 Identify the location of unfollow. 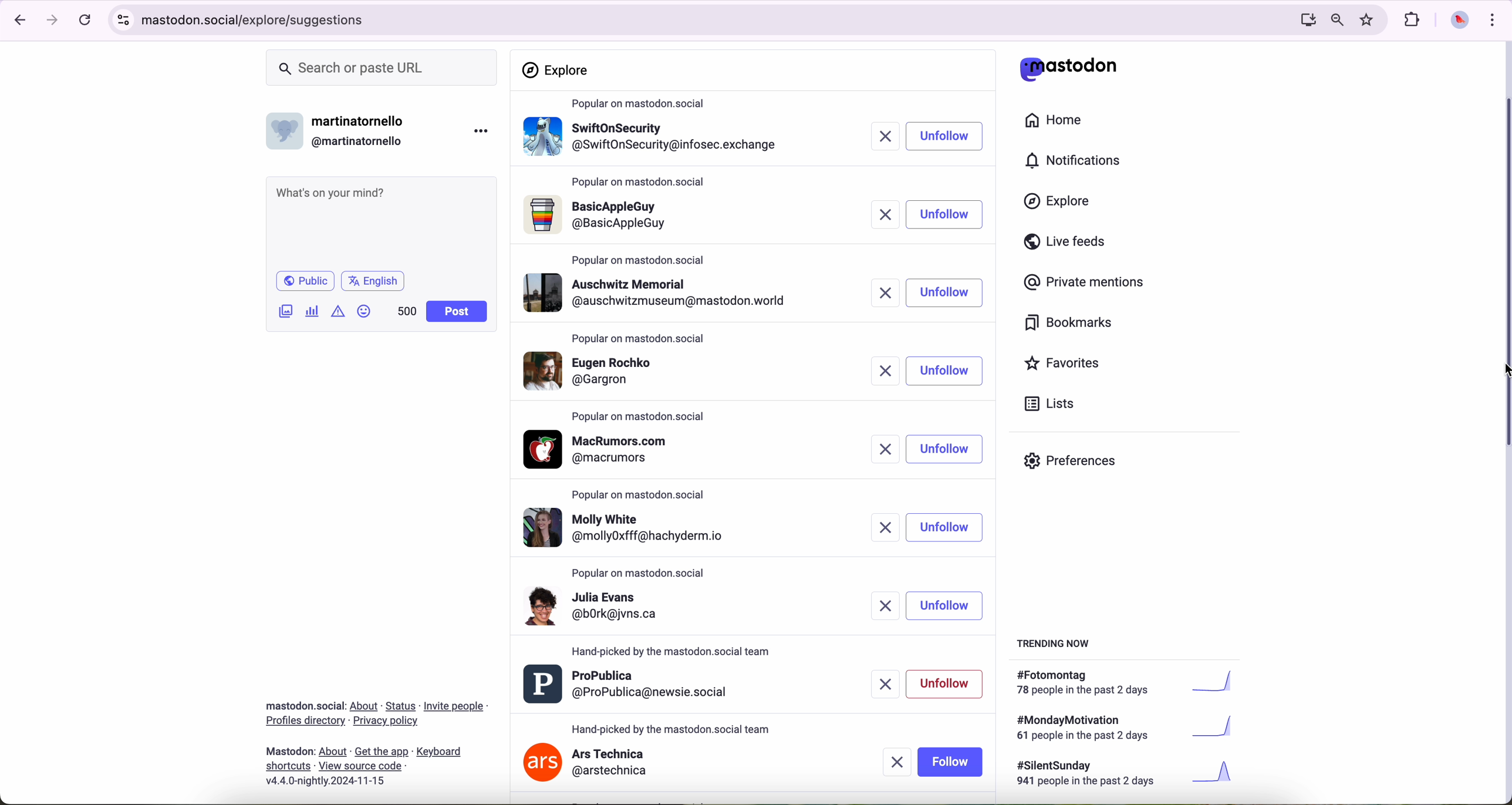
(944, 295).